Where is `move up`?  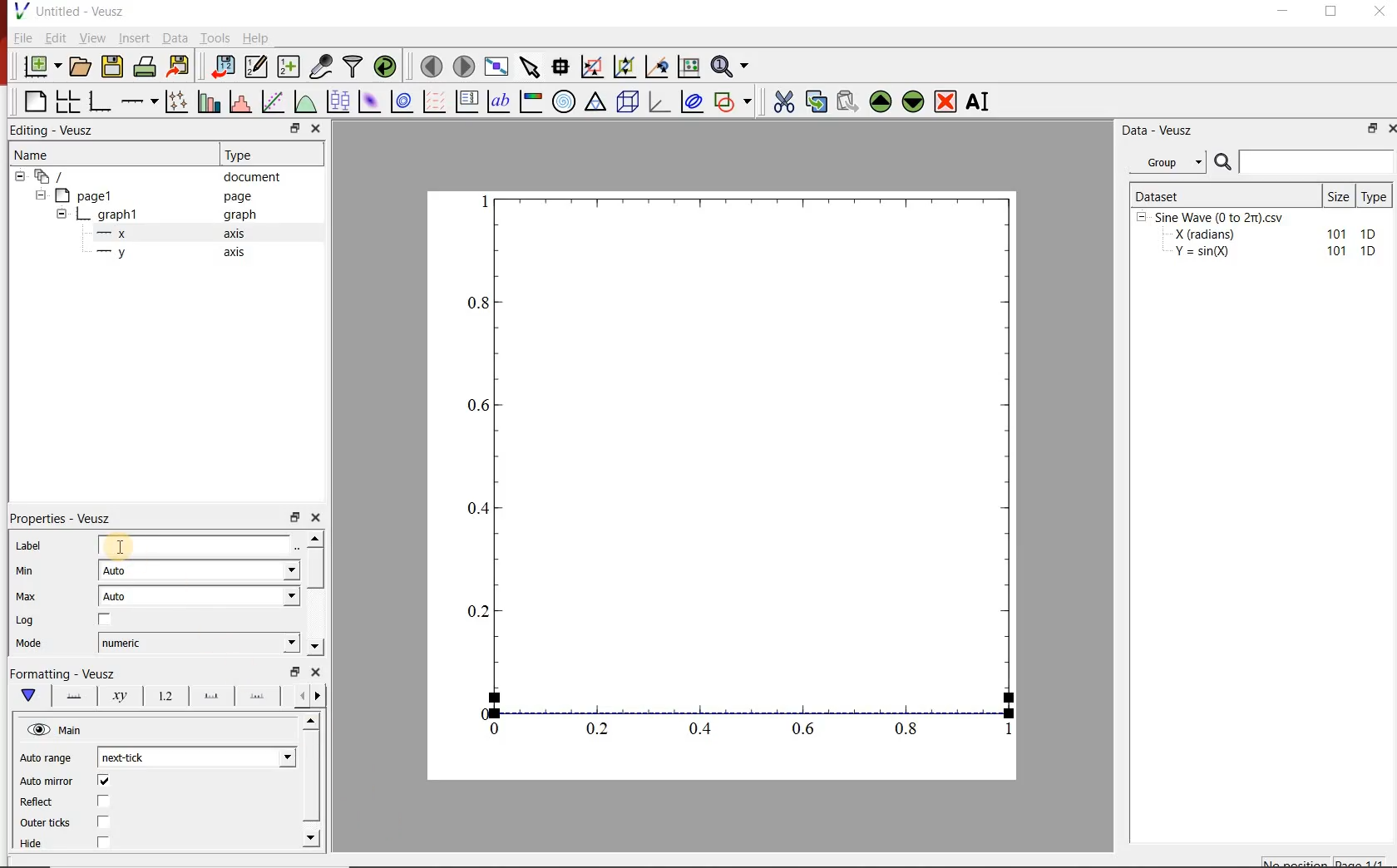
move up is located at coordinates (881, 101).